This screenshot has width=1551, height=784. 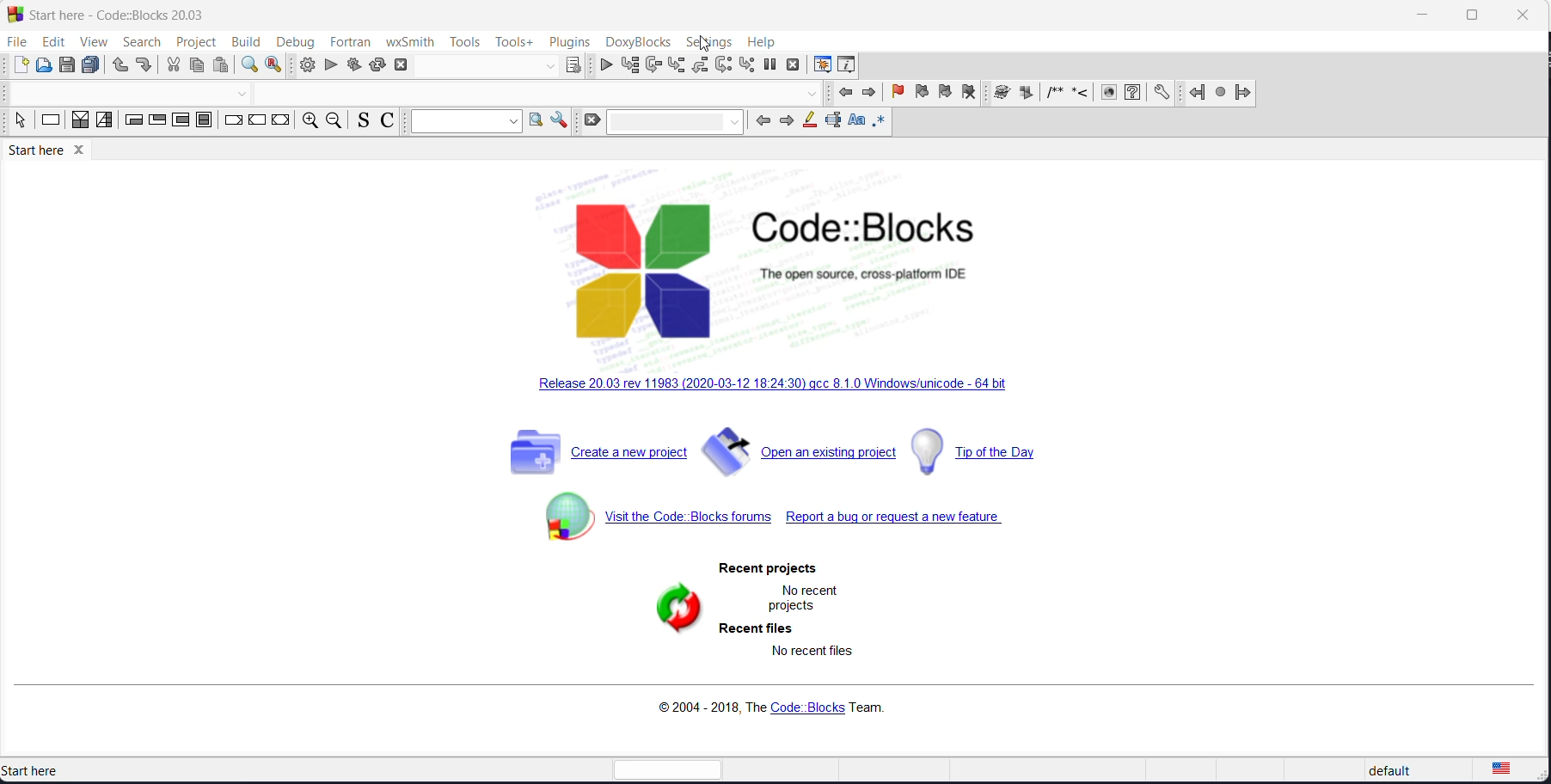 I want to click on recent projects, so click(x=758, y=568).